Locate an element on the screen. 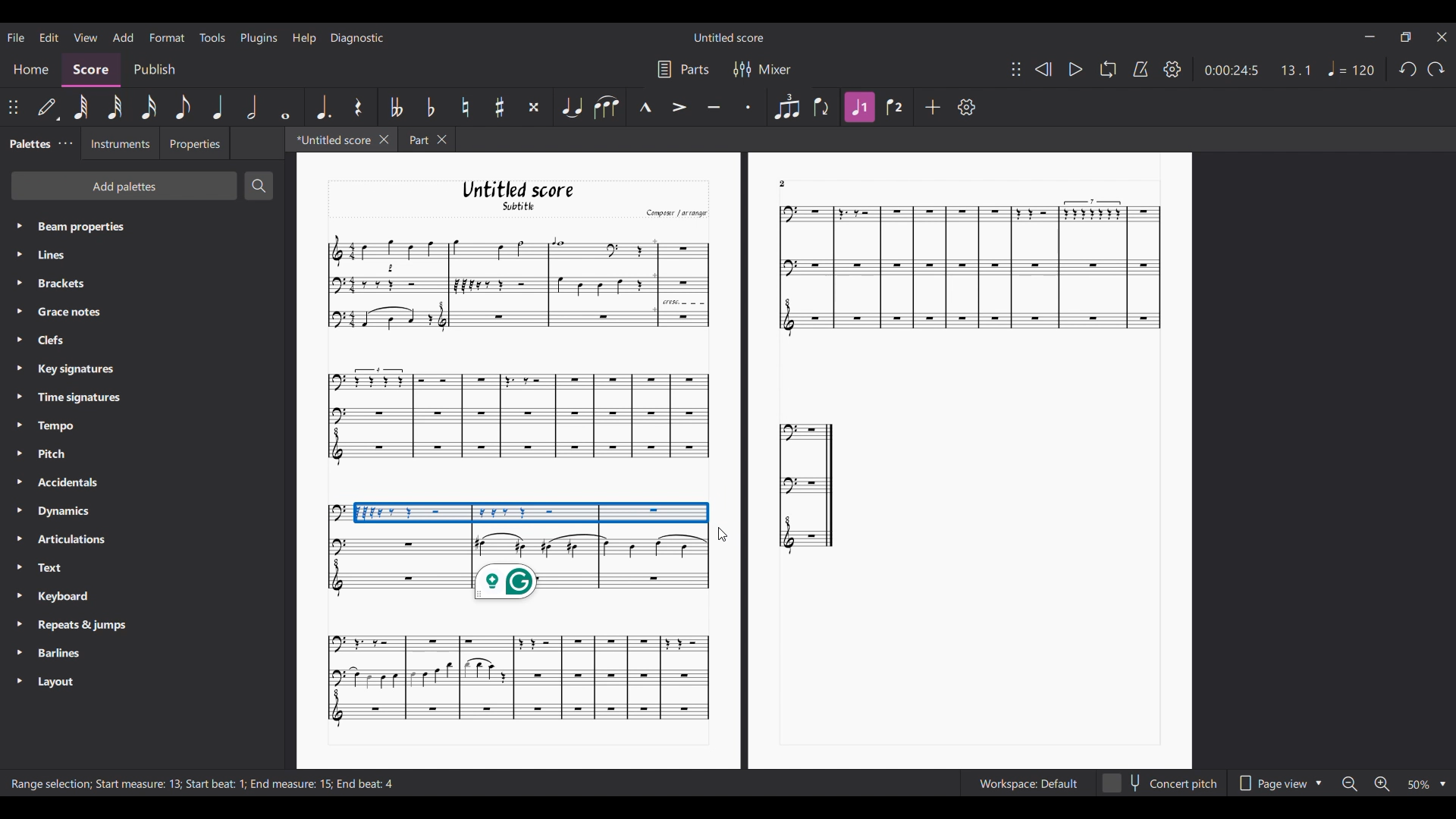 The width and height of the screenshot is (1456, 819). Part X is located at coordinates (426, 140).